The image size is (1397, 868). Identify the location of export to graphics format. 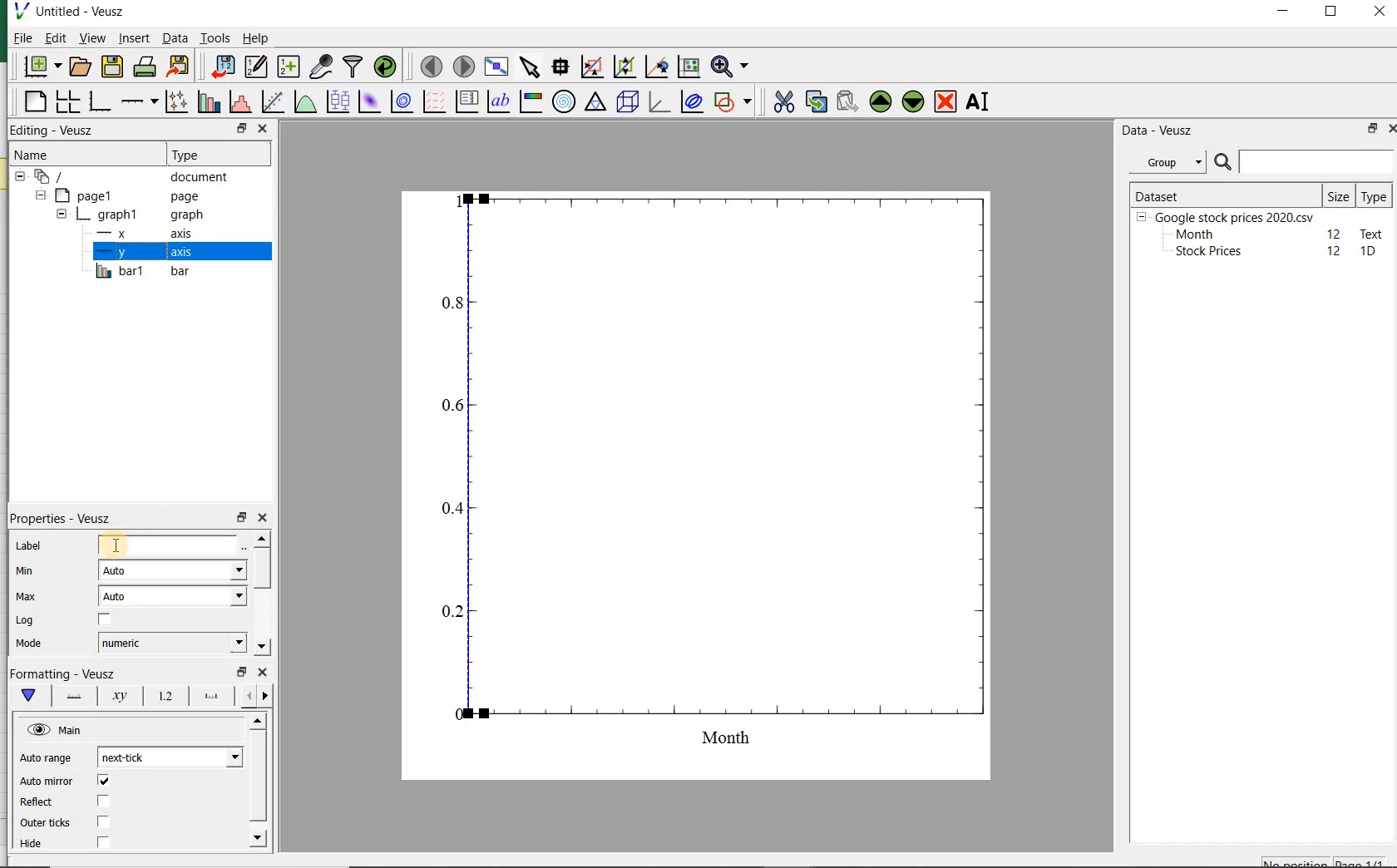
(179, 67).